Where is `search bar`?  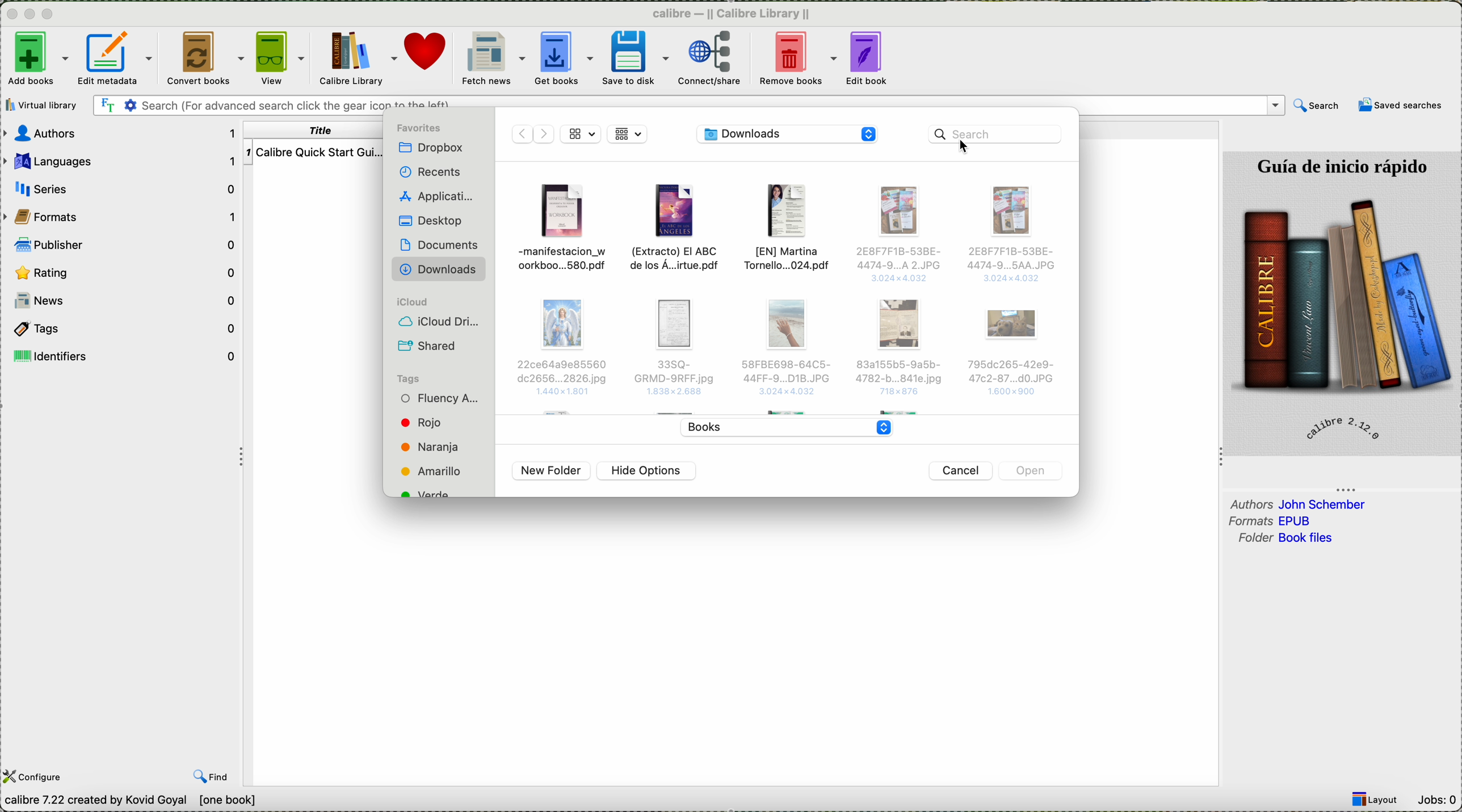 search bar is located at coordinates (688, 104).